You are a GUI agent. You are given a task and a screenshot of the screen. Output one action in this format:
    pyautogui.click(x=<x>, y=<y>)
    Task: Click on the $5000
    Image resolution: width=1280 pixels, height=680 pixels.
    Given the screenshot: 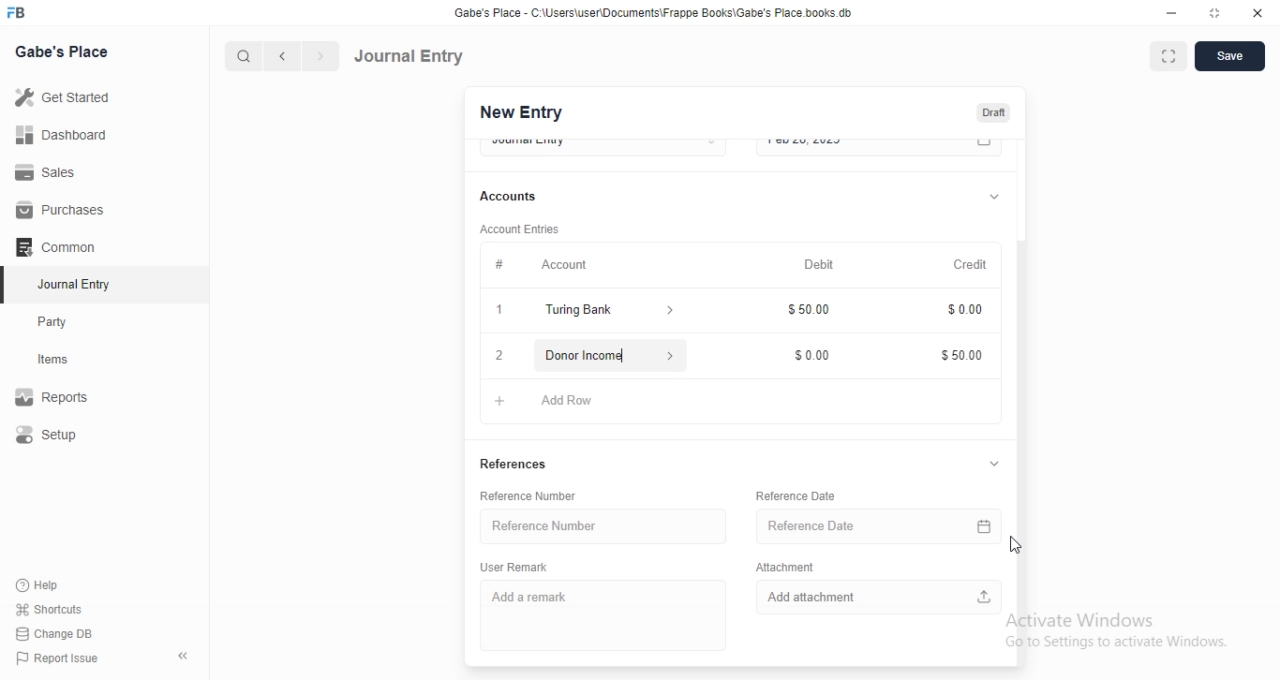 What is the action you would take?
    pyautogui.click(x=962, y=356)
    